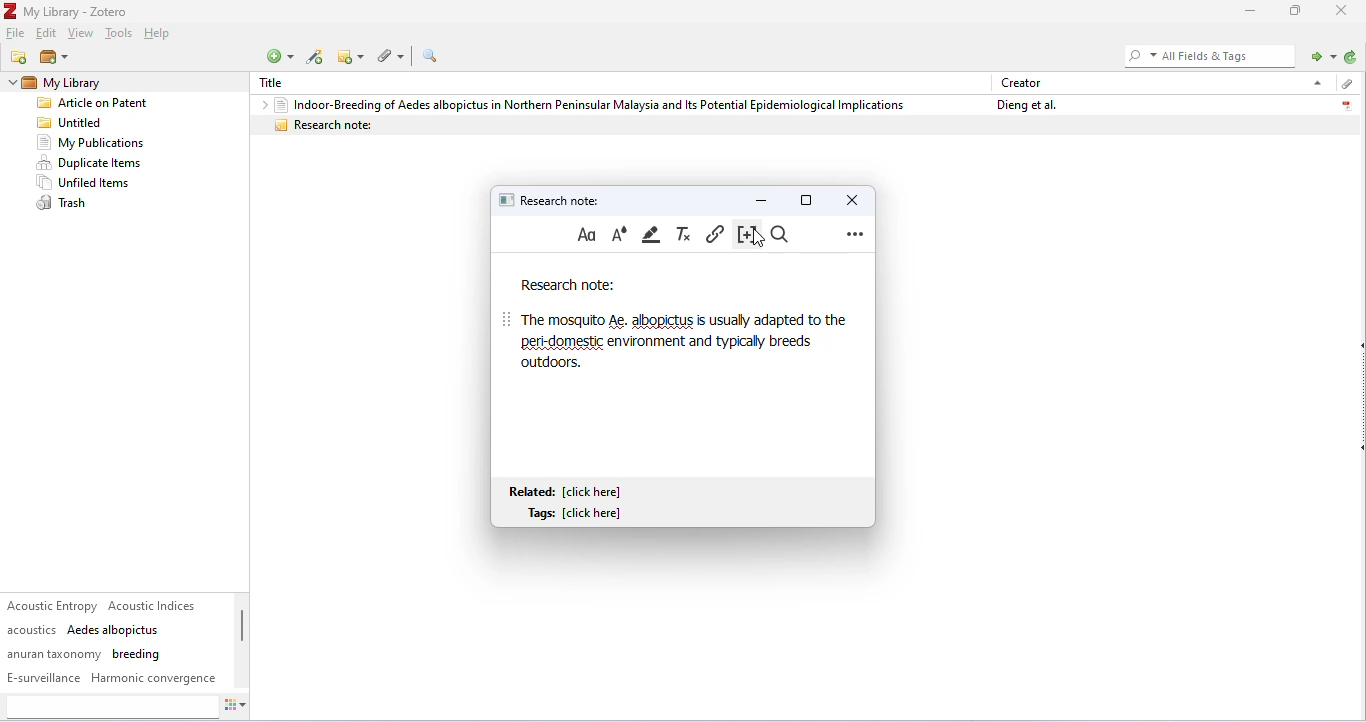  What do you see at coordinates (806, 199) in the screenshot?
I see `maximize` at bounding box center [806, 199].